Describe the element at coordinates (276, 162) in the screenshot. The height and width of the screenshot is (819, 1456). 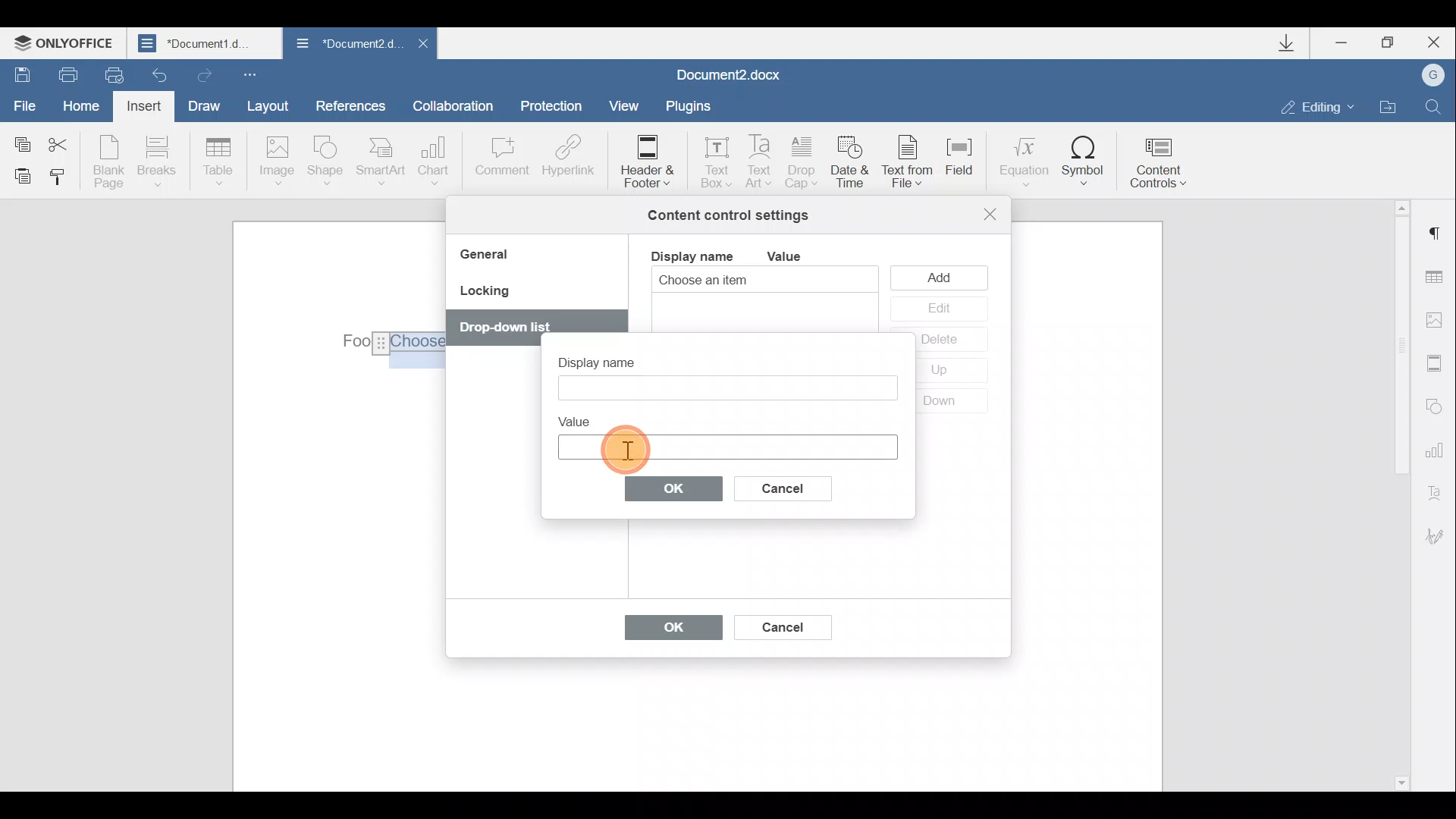
I see `Image` at that location.